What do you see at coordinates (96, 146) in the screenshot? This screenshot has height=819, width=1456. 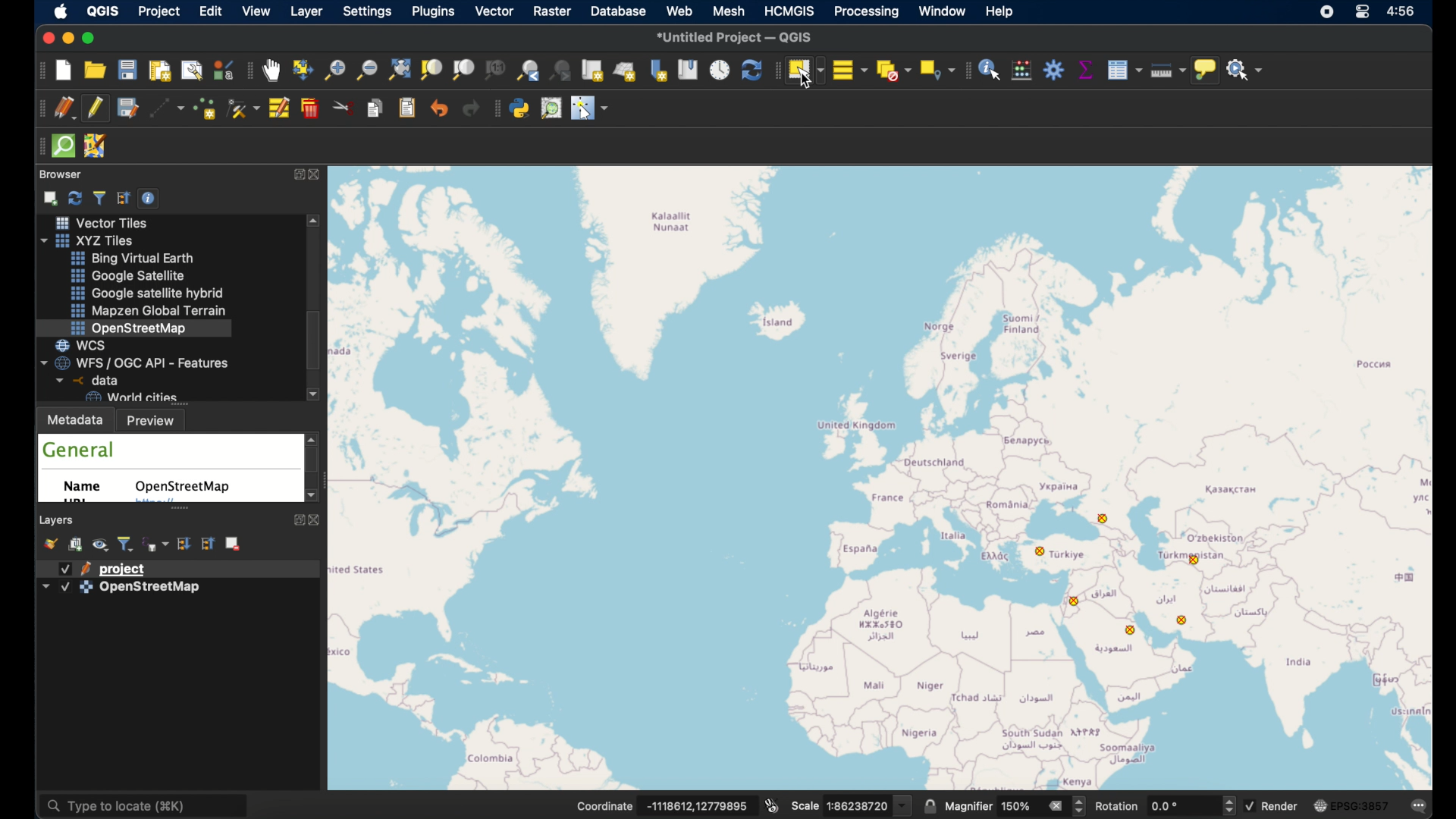 I see `josh remote` at bounding box center [96, 146].